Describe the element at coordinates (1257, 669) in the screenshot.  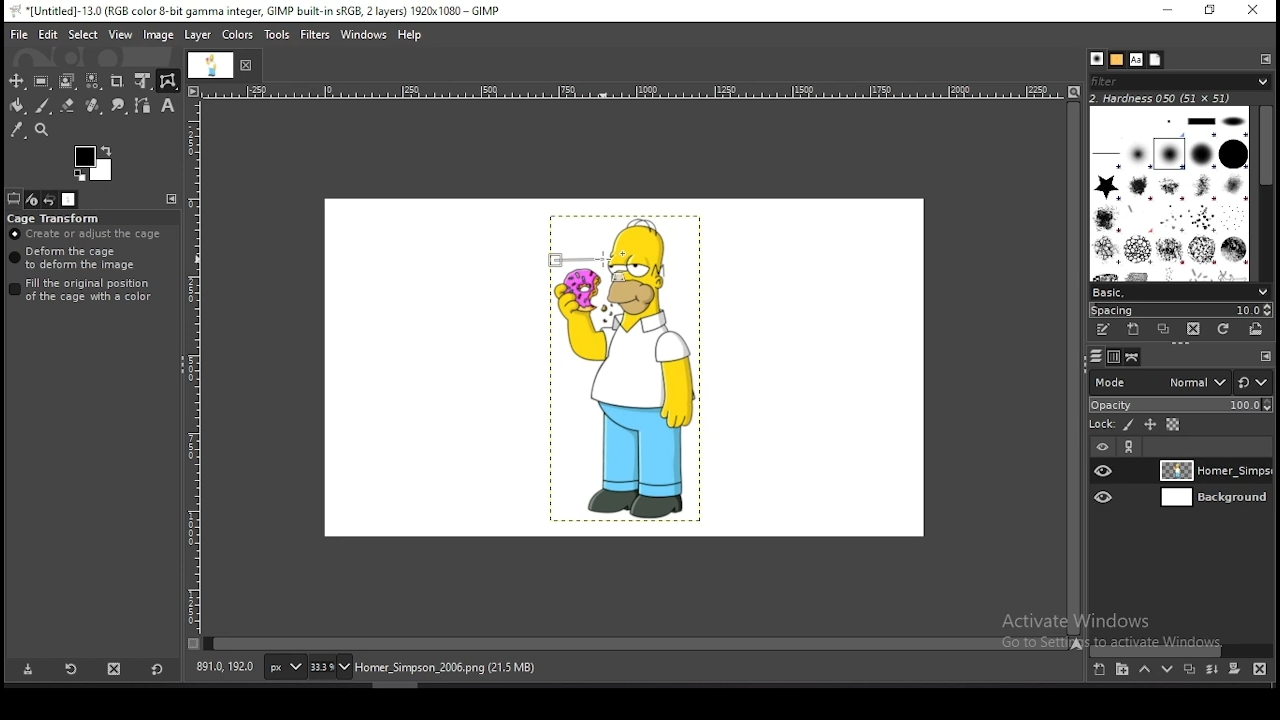
I see `delete layer` at that location.